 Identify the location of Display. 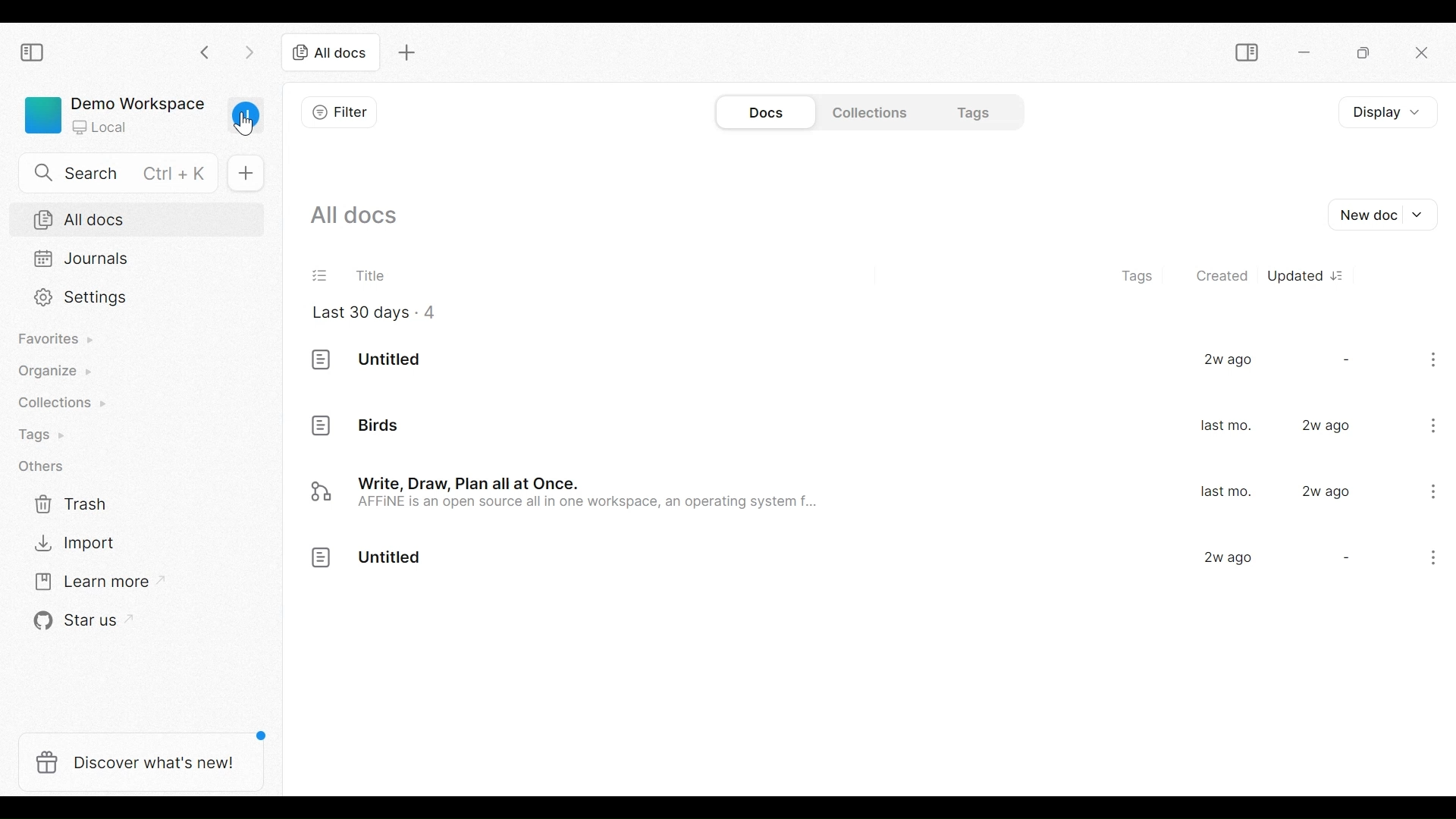
(1384, 112).